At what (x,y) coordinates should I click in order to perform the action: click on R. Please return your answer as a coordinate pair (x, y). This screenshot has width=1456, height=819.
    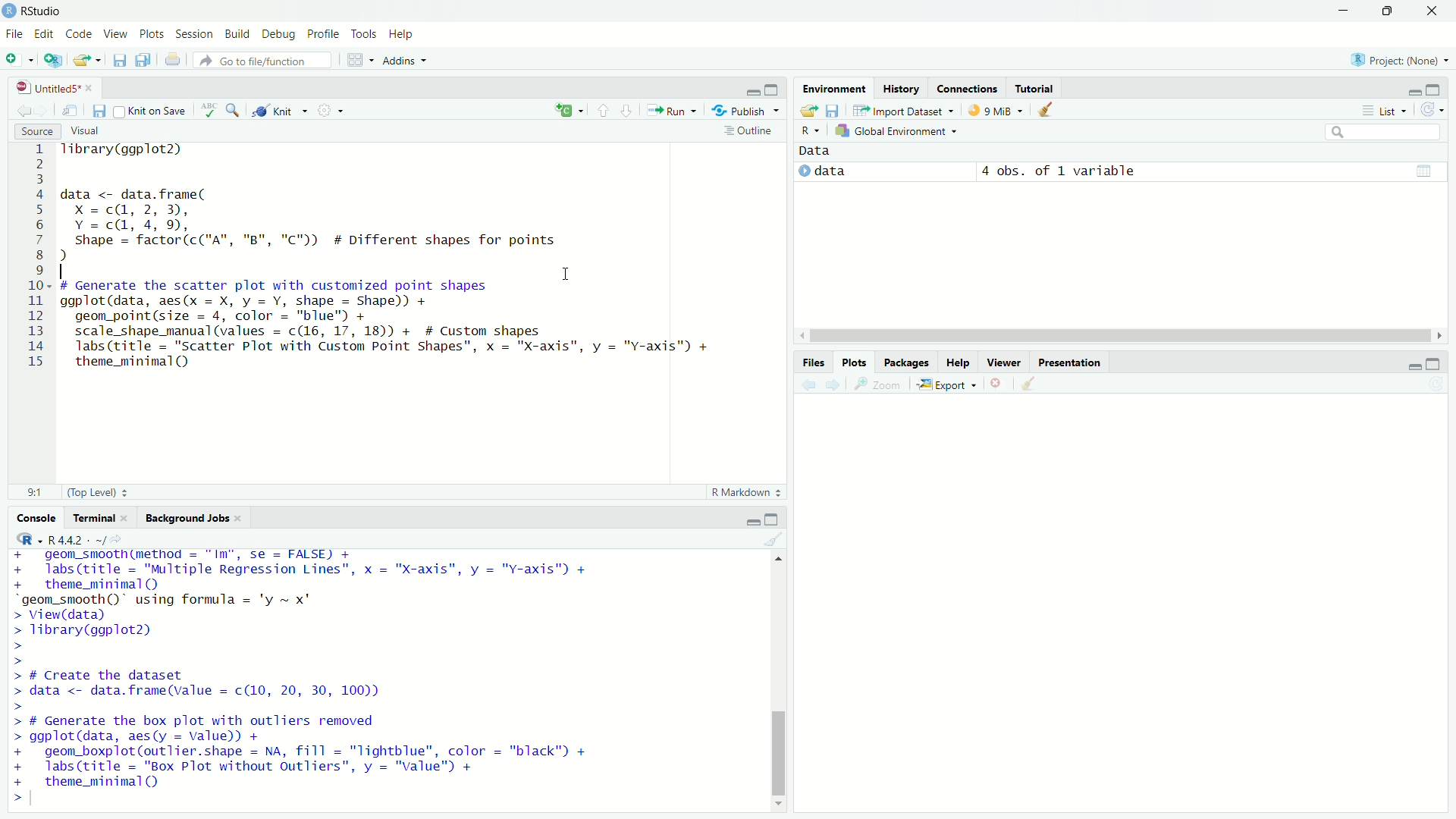
    Looking at the image, I should click on (811, 132).